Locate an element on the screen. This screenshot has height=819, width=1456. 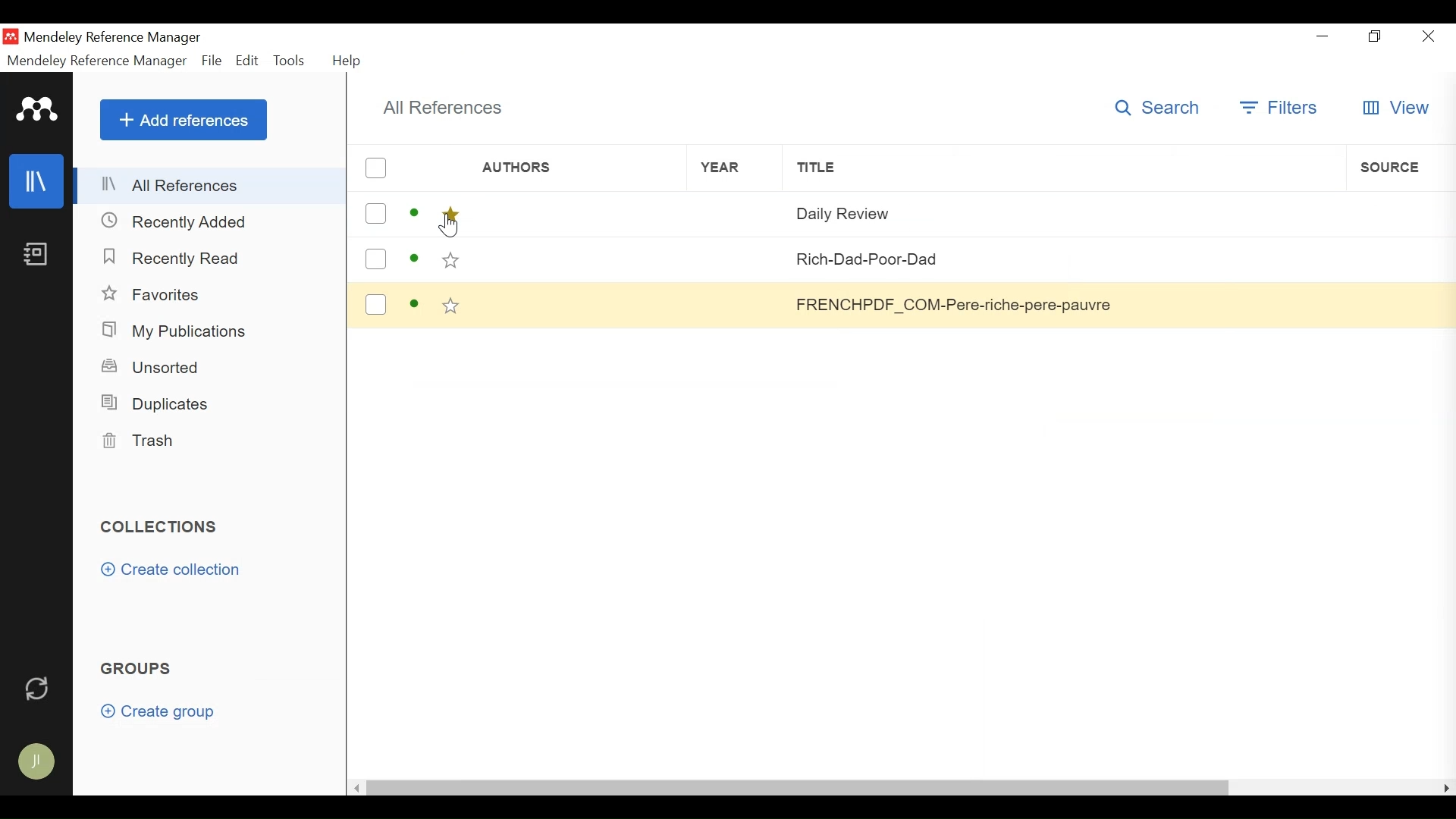
Avatar is located at coordinates (36, 763).